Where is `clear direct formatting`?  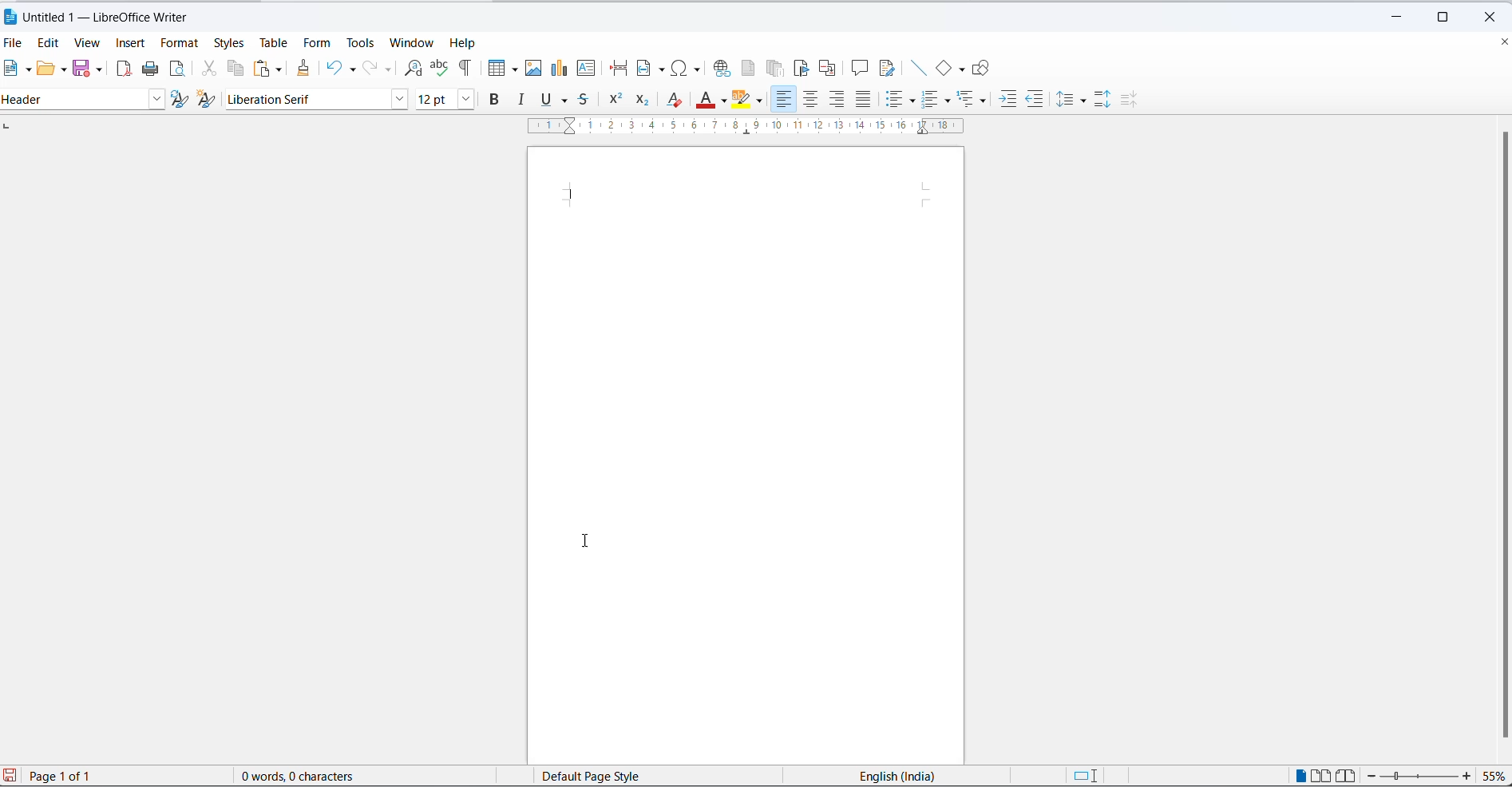 clear direct formatting is located at coordinates (675, 99).